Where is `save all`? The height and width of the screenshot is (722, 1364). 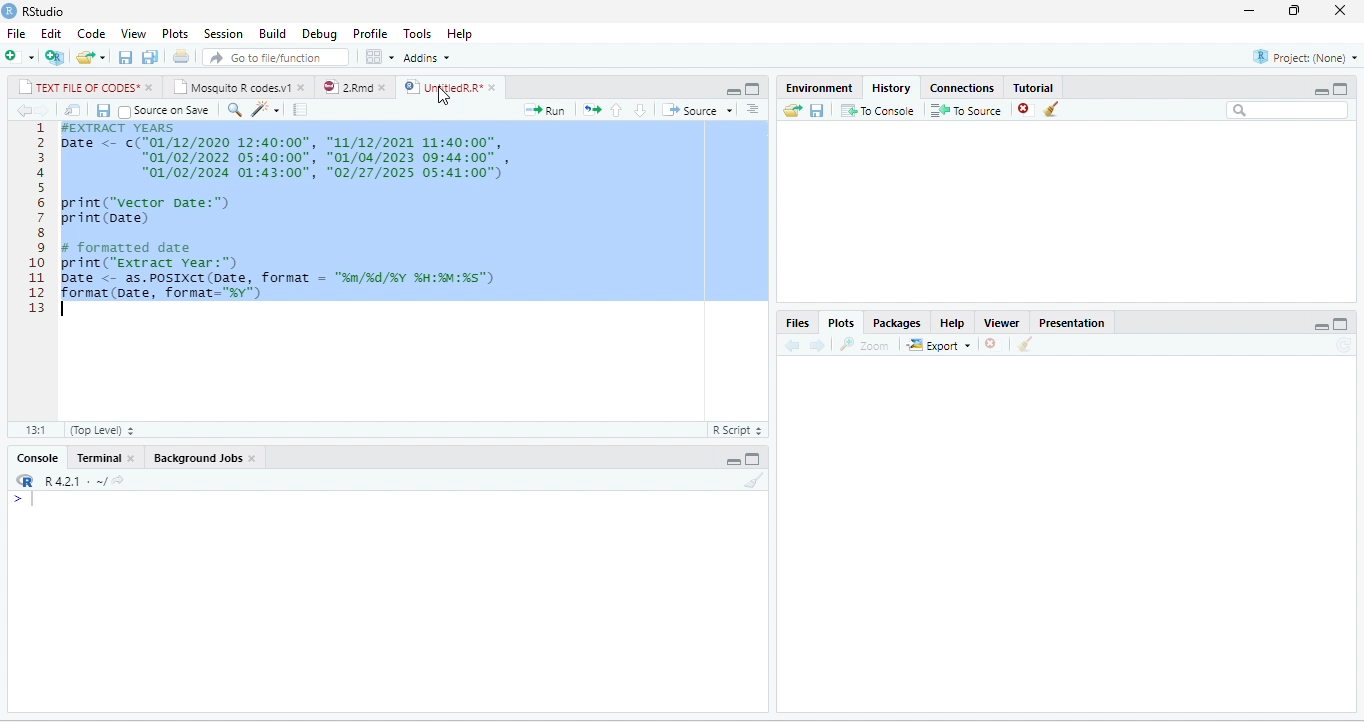
save all is located at coordinates (149, 56).